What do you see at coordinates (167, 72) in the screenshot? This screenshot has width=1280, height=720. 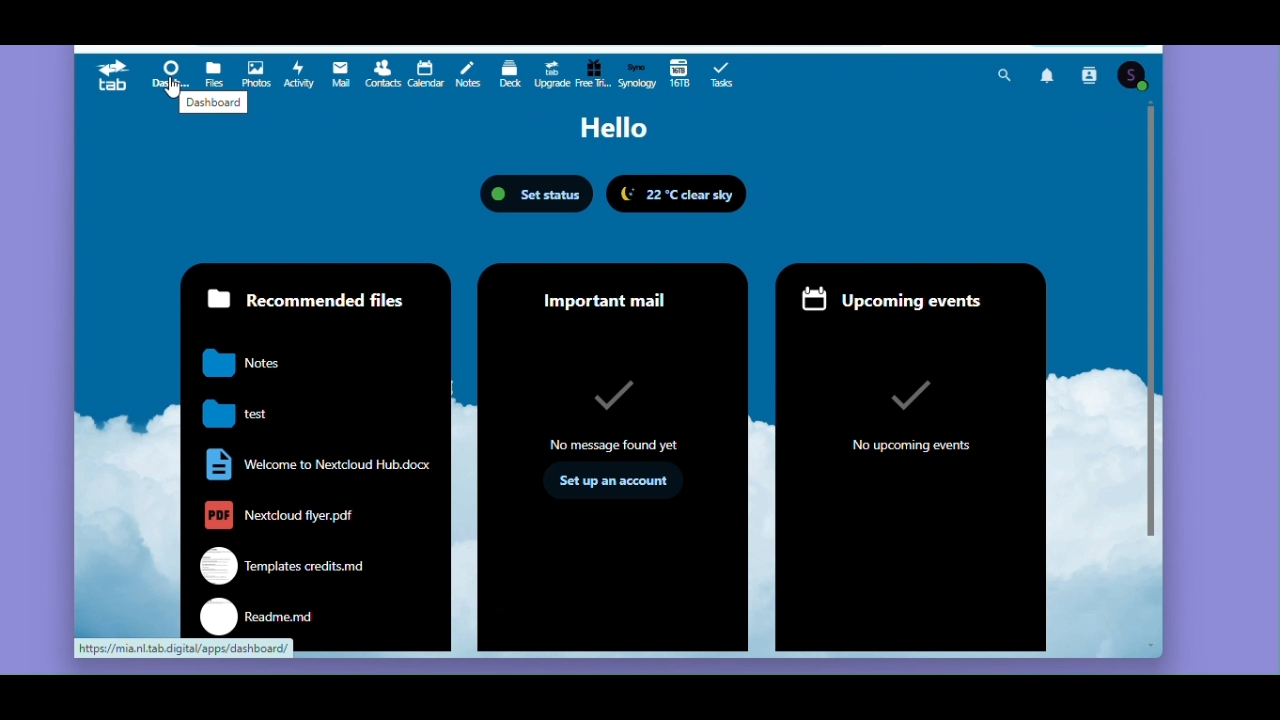 I see `Dashboard` at bounding box center [167, 72].